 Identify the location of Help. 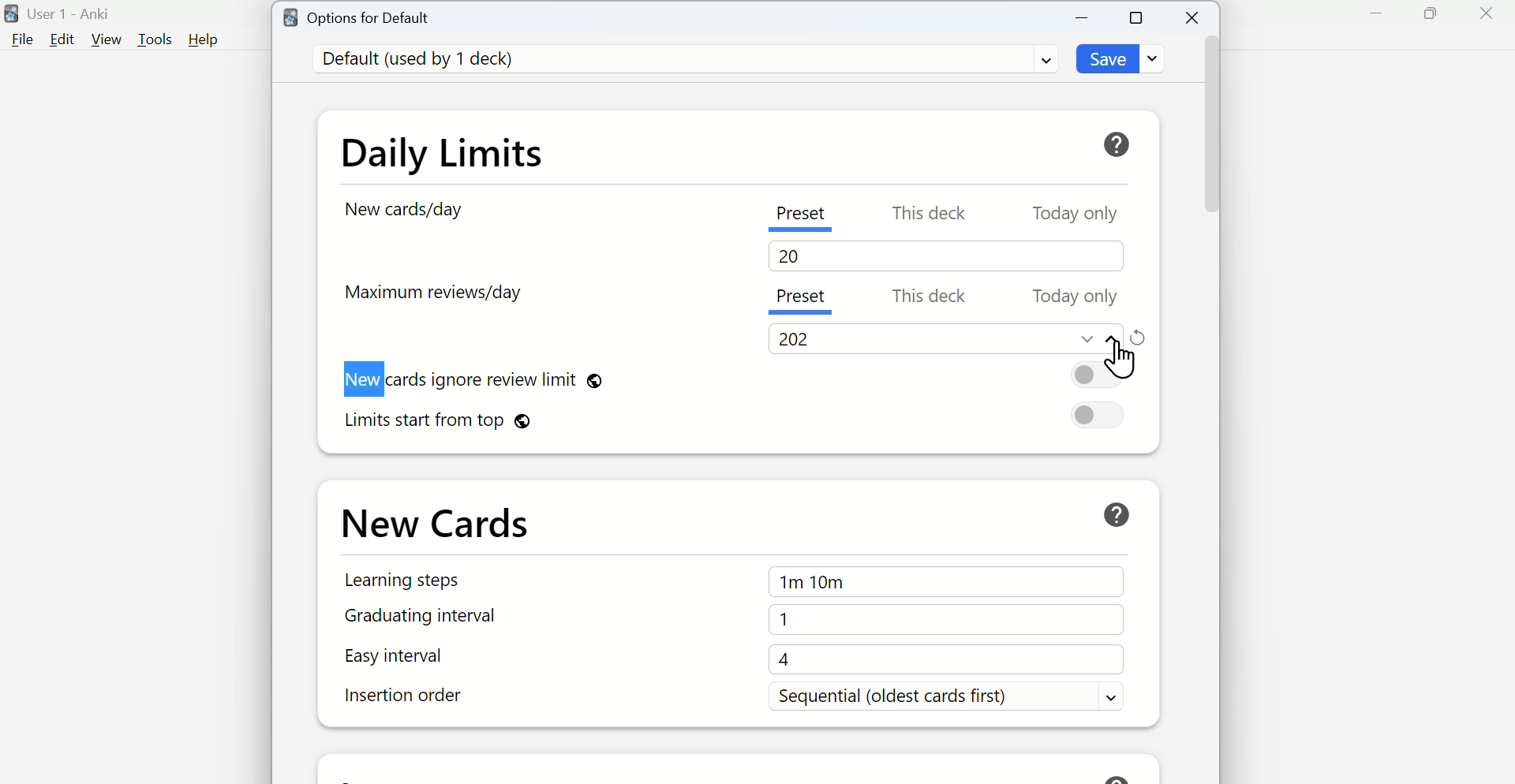
(1116, 514).